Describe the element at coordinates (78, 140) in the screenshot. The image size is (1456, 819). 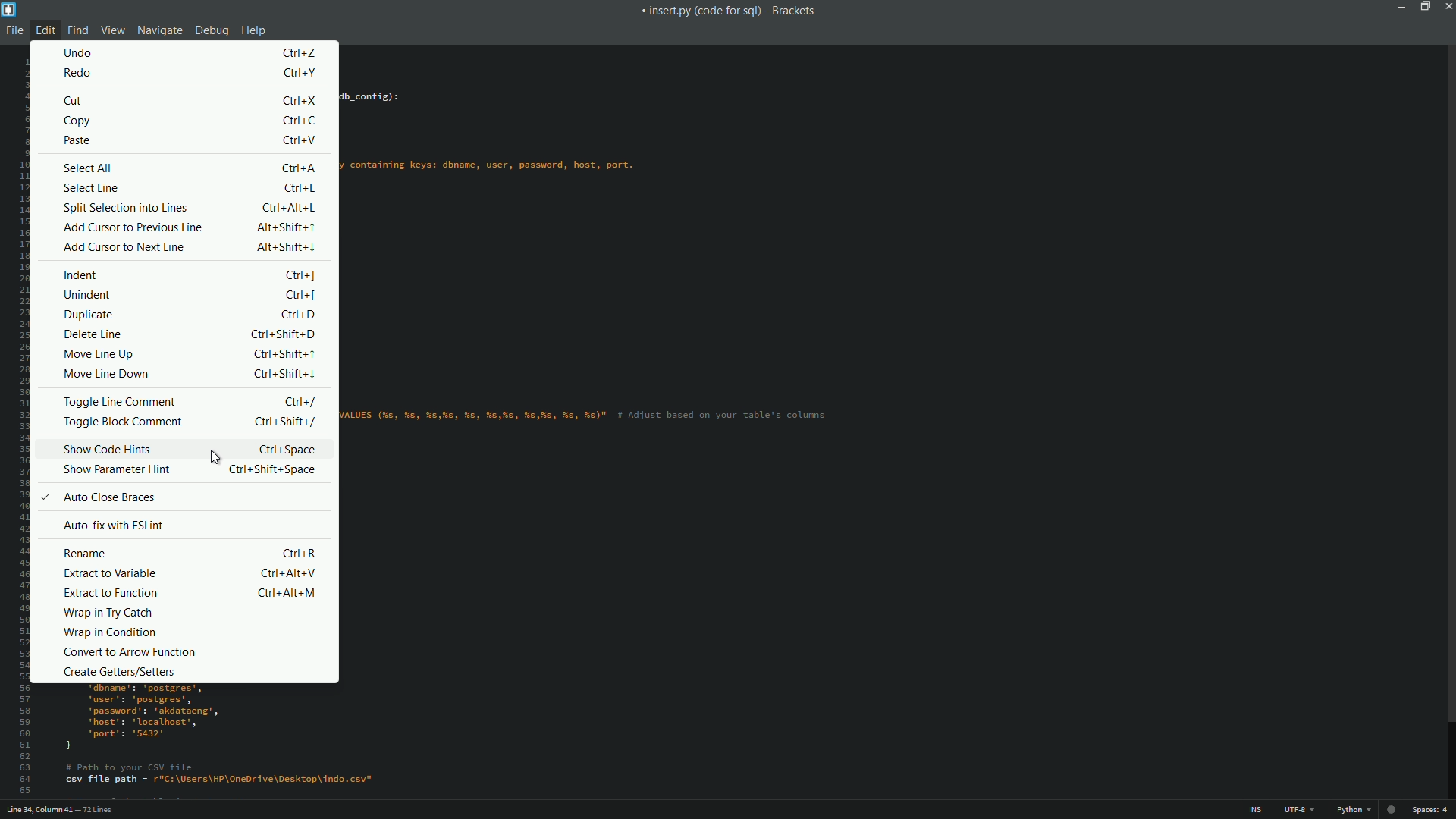
I see `paste` at that location.